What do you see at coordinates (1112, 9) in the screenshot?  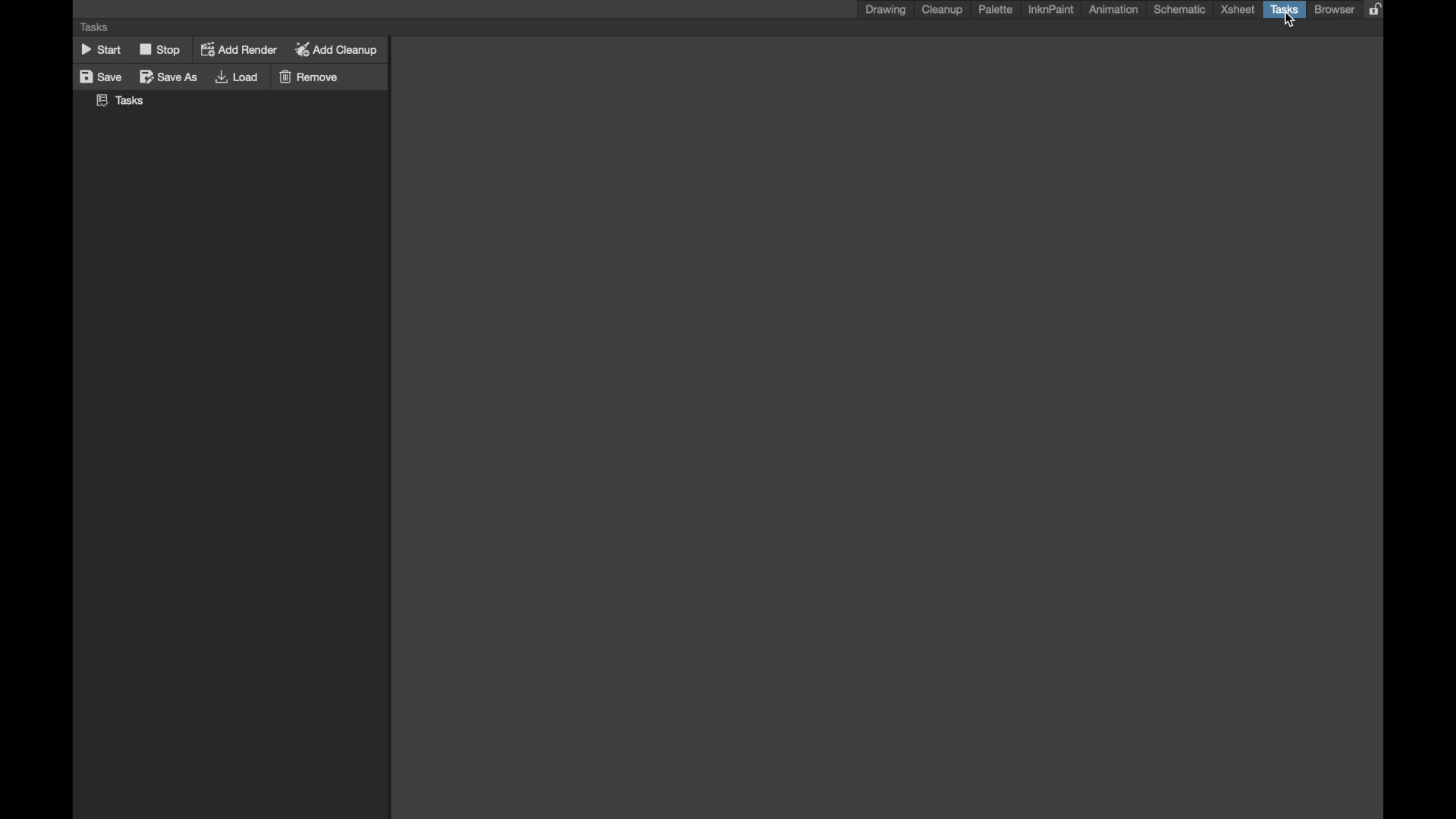 I see `animation` at bounding box center [1112, 9].